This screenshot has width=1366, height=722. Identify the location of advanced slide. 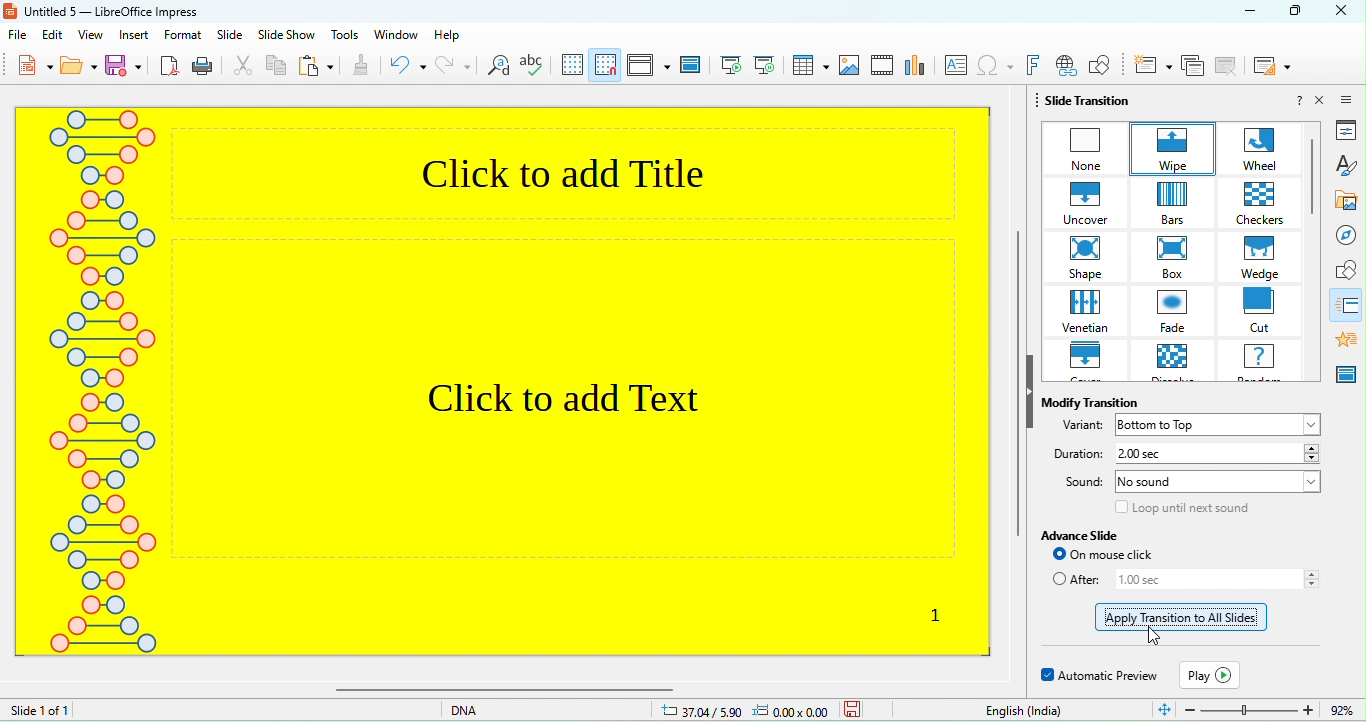
(1092, 537).